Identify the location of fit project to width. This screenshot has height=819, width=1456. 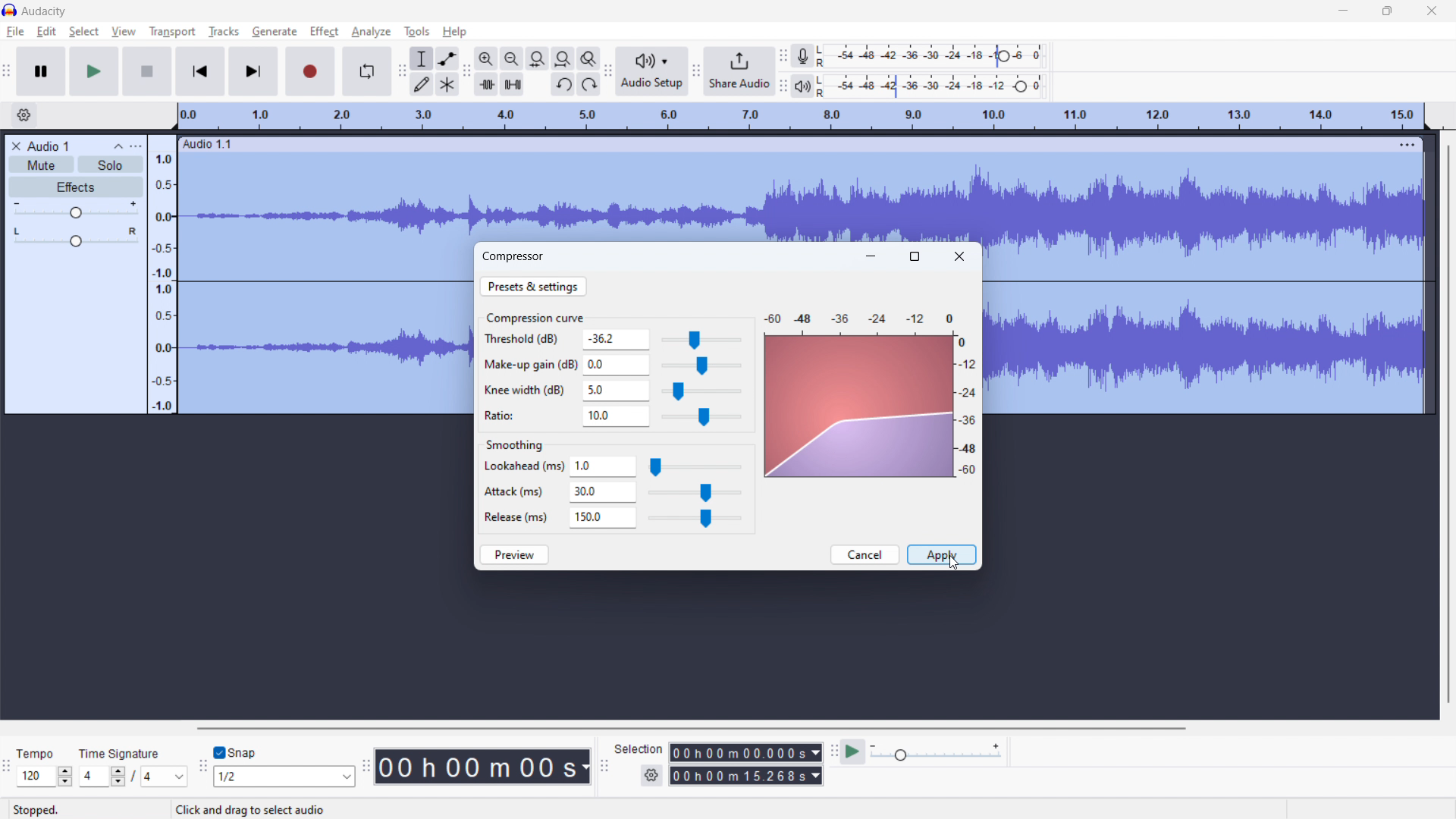
(563, 58).